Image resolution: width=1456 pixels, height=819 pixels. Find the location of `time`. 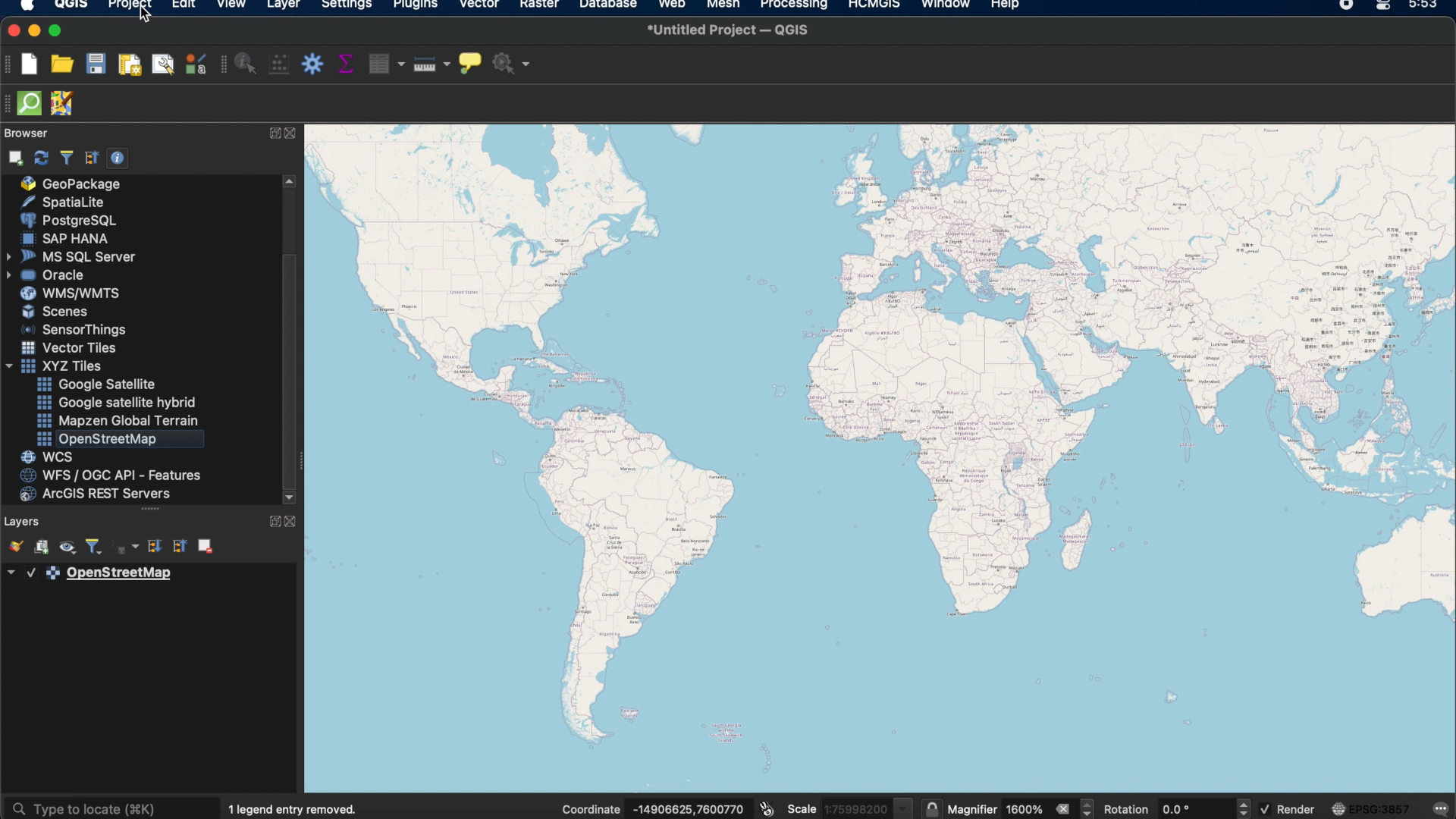

time is located at coordinates (1429, 7).